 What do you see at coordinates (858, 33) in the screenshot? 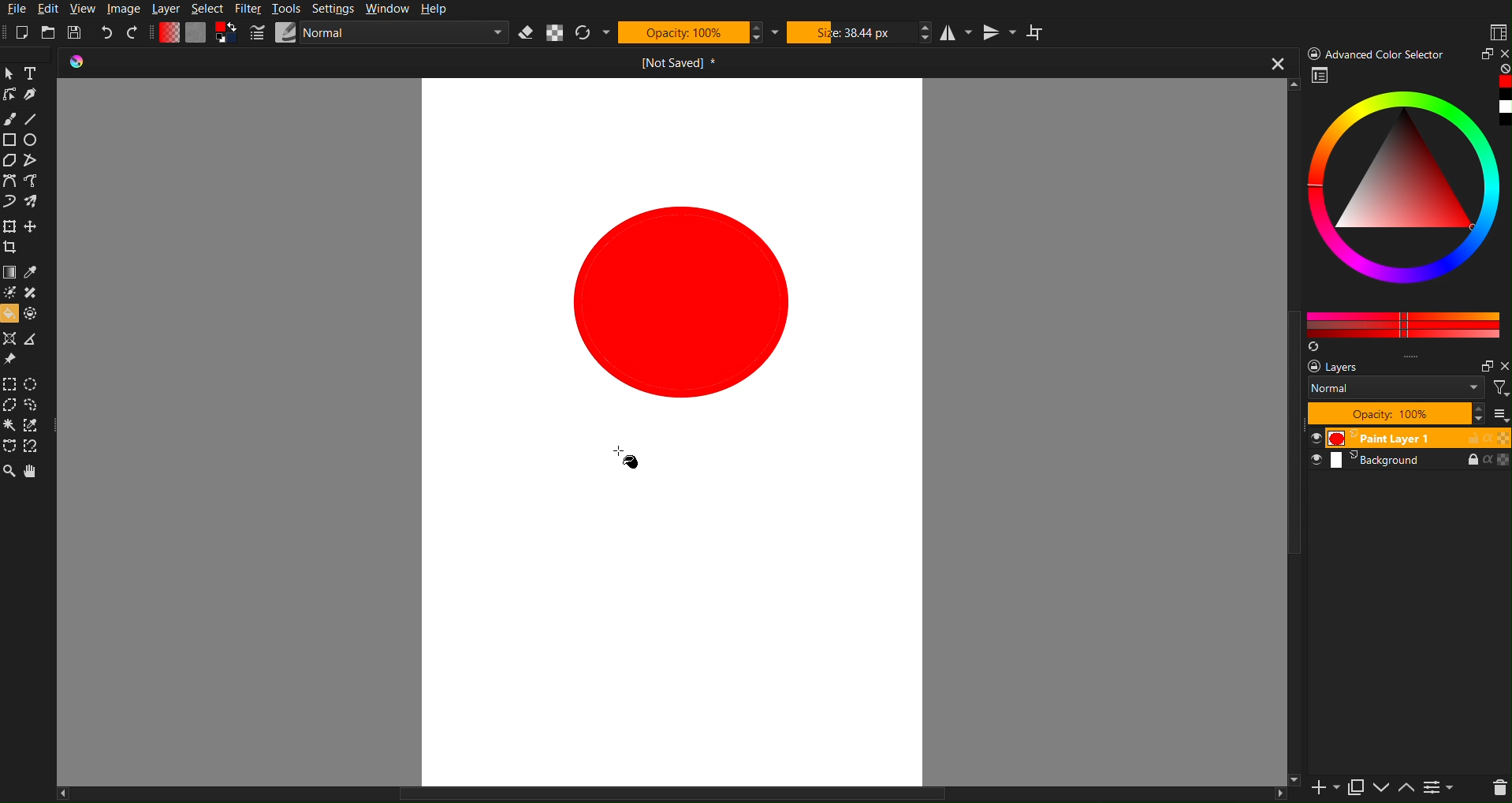
I see `Size 38.44` at bounding box center [858, 33].